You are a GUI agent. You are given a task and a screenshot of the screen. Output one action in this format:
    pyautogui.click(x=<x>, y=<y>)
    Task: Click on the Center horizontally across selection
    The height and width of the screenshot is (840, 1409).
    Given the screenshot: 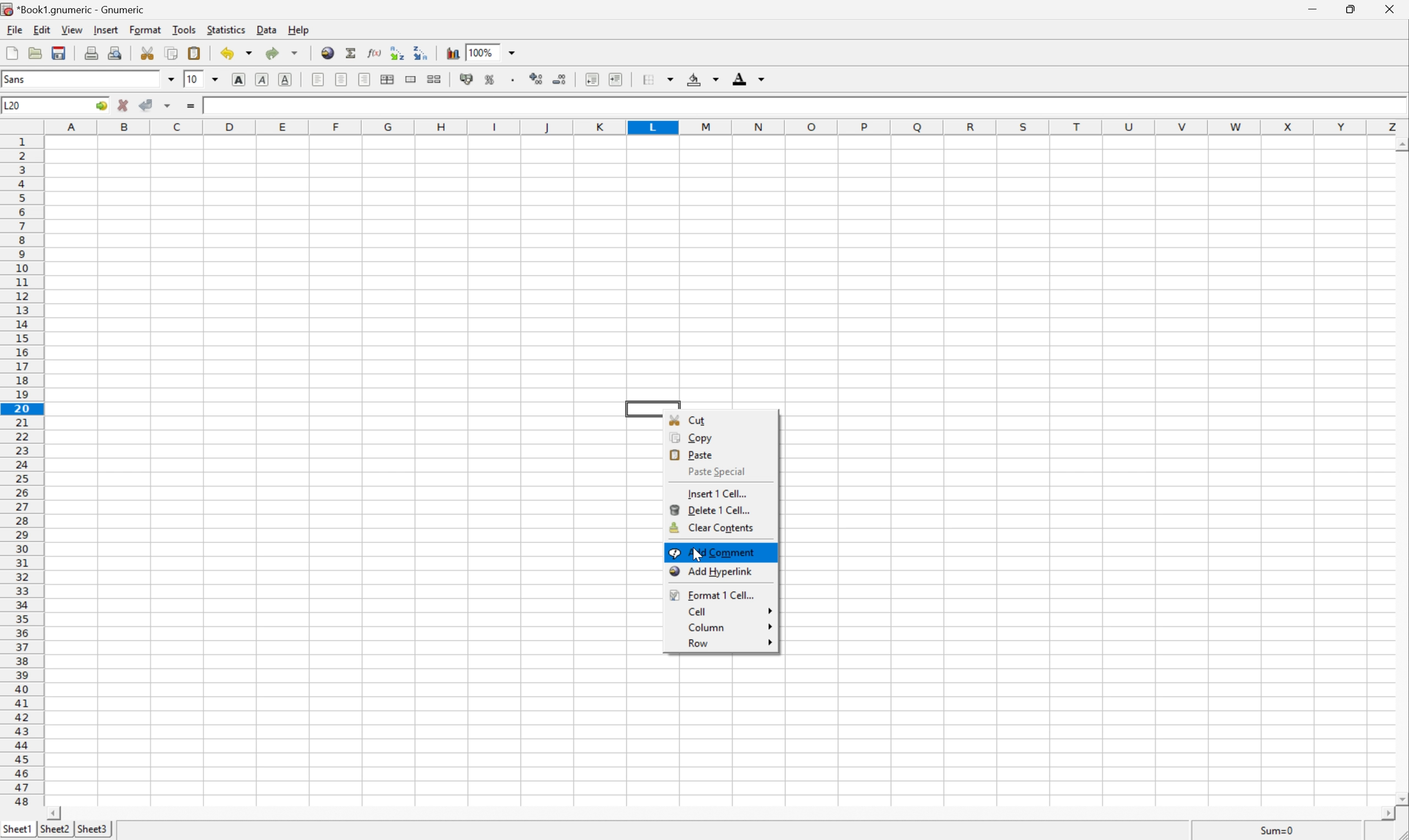 What is the action you would take?
    pyautogui.click(x=387, y=79)
    